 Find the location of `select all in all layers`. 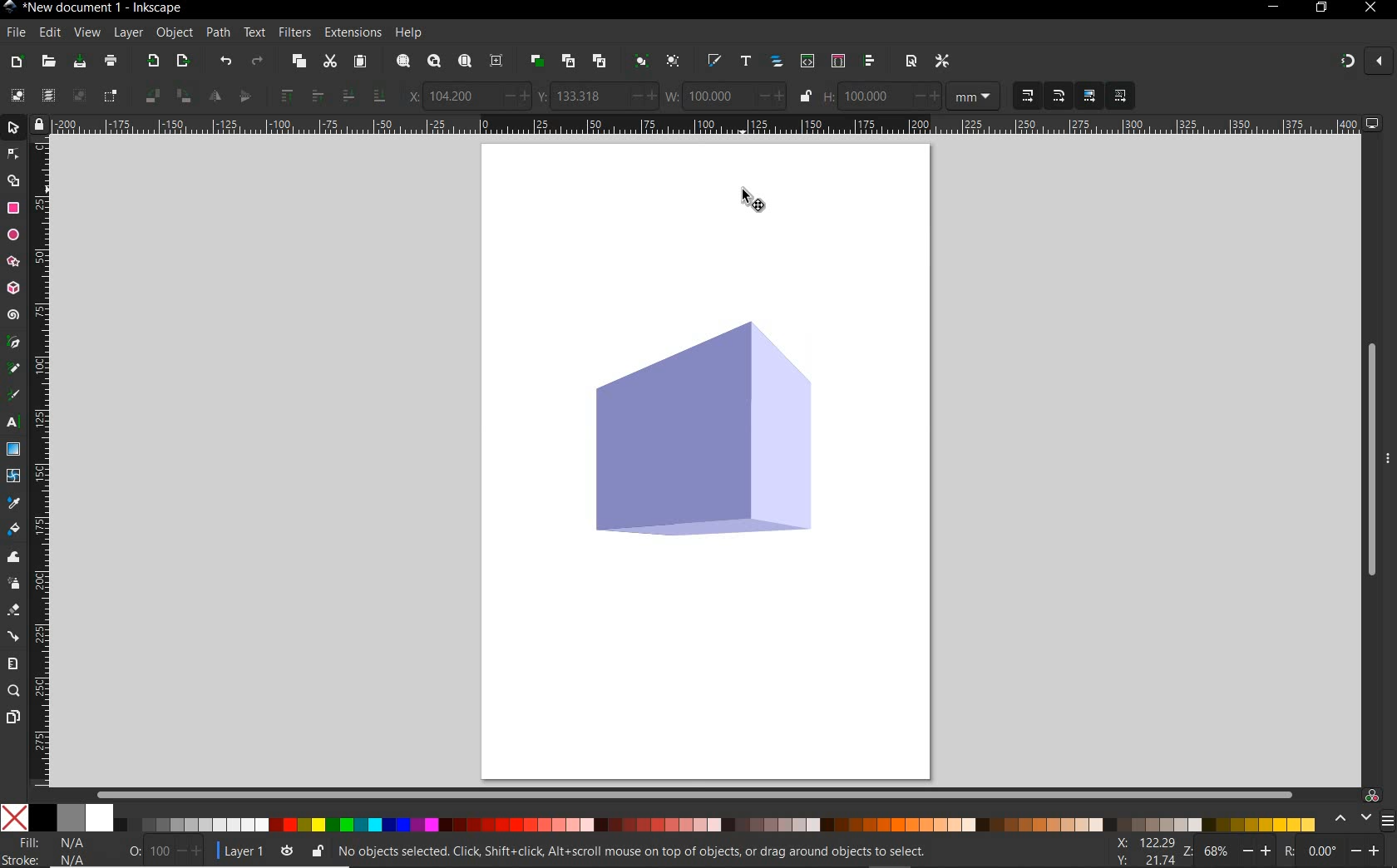

select all in all layers is located at coordinates (47, 95).